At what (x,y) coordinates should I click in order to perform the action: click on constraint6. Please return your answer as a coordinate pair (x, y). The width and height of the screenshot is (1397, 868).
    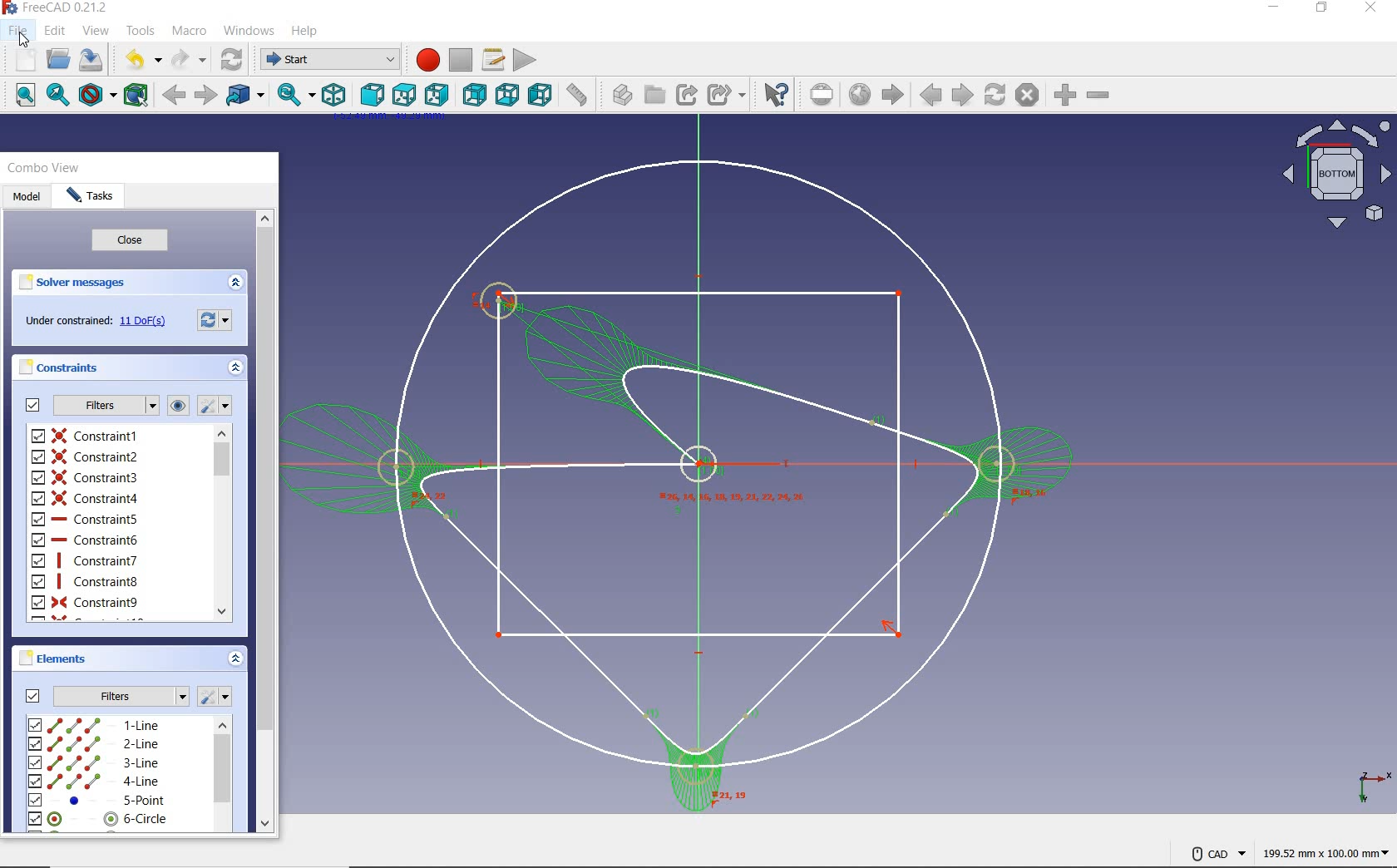
    Looking at the image, I should click on (86, 540).